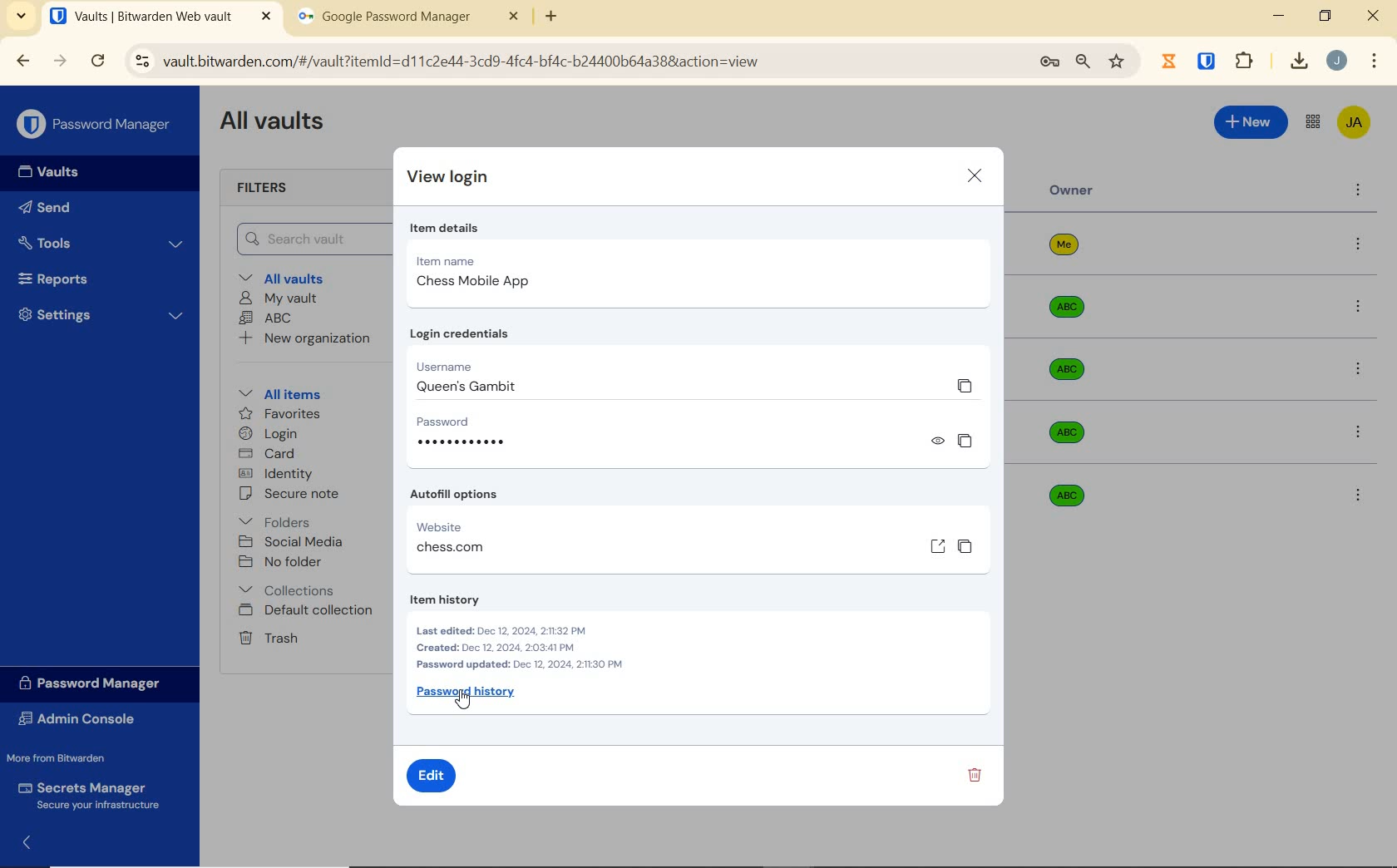 This screenshot has height=868, width=1397. I want to click on manage passwords, so click(1047, 64).